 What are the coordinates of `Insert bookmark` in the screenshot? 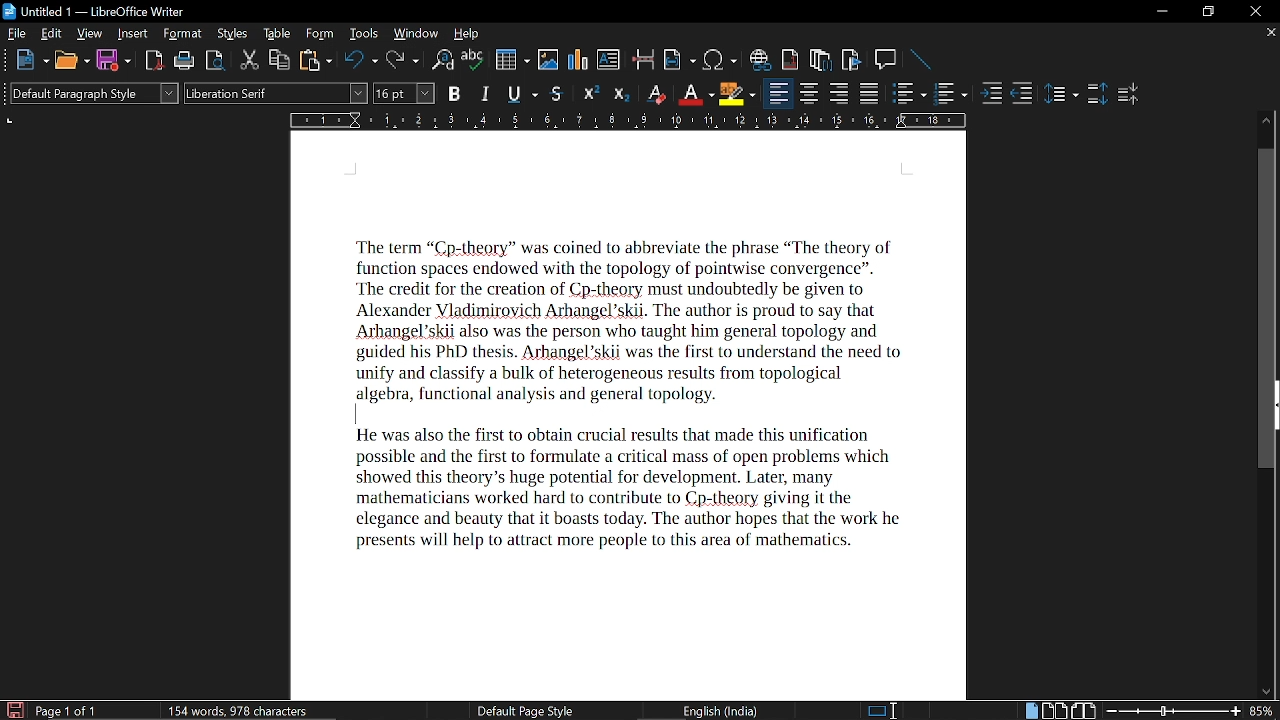 It's located at (851, 61).